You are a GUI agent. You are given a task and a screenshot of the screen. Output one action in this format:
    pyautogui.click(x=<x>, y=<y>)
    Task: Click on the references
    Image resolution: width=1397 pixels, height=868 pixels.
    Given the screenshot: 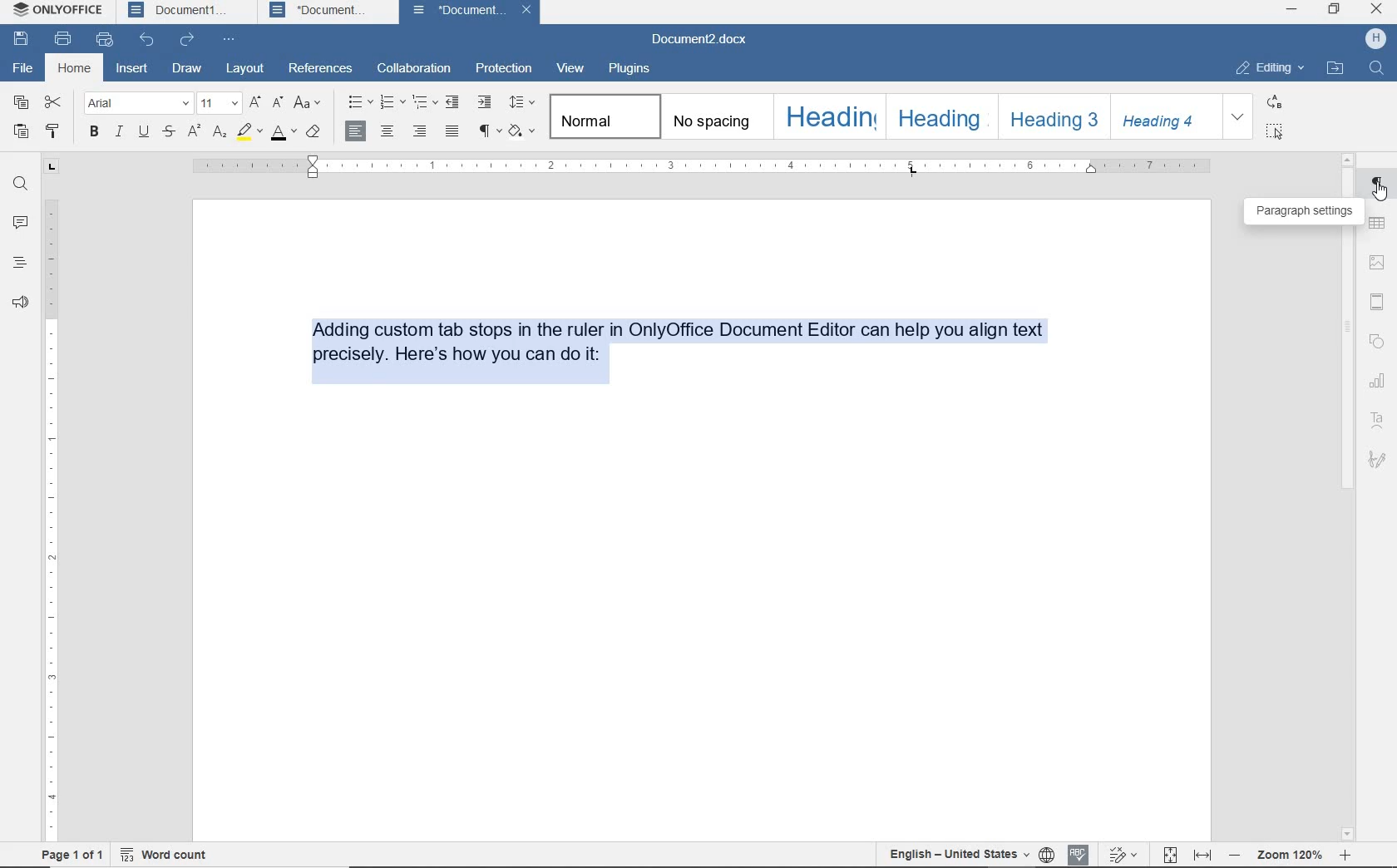 What is the action you would take?
    pyautogui.click(x=321, y=68)
    